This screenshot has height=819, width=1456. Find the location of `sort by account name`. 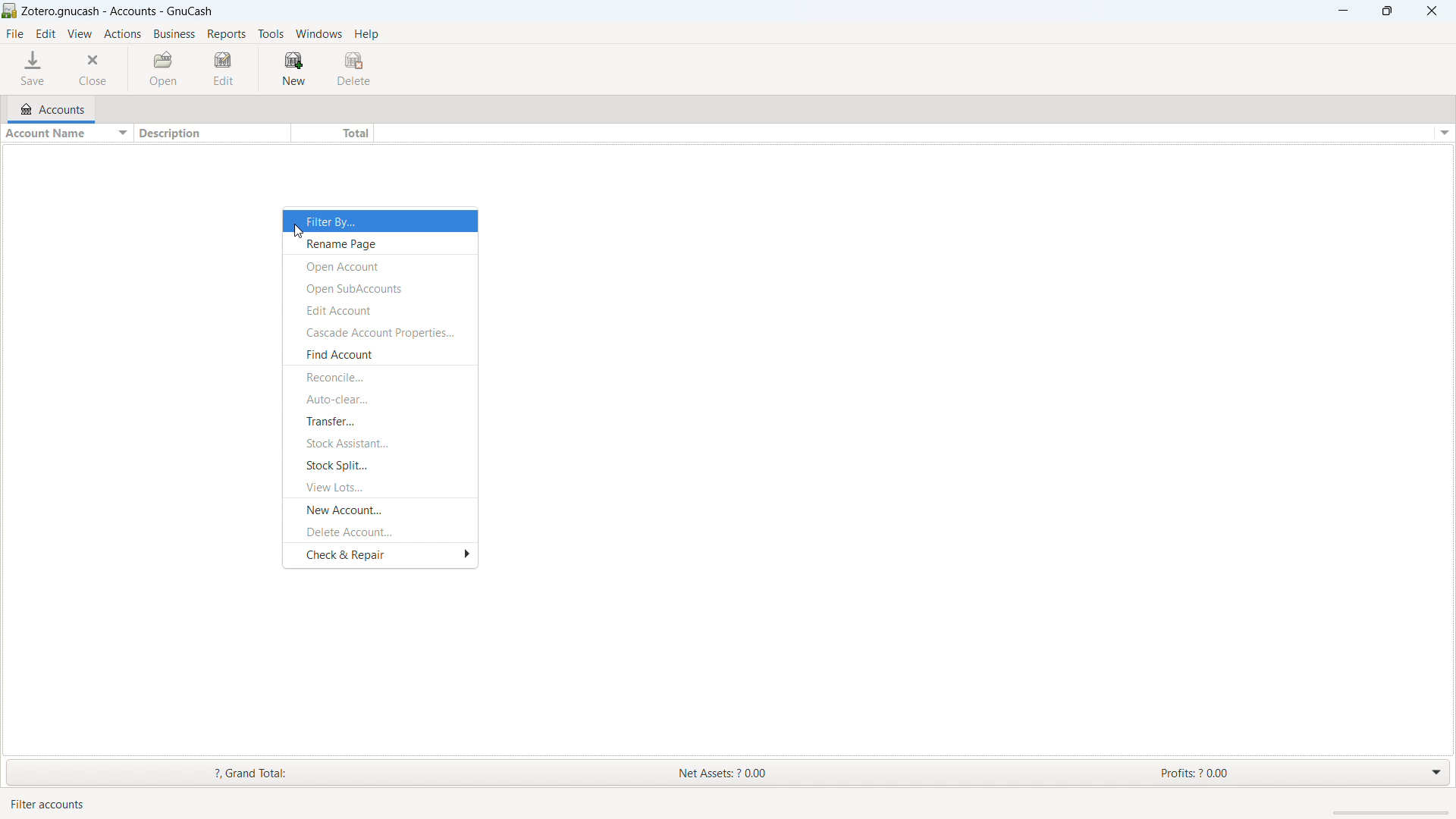

sort by account name is located at coordinates (64, 134).